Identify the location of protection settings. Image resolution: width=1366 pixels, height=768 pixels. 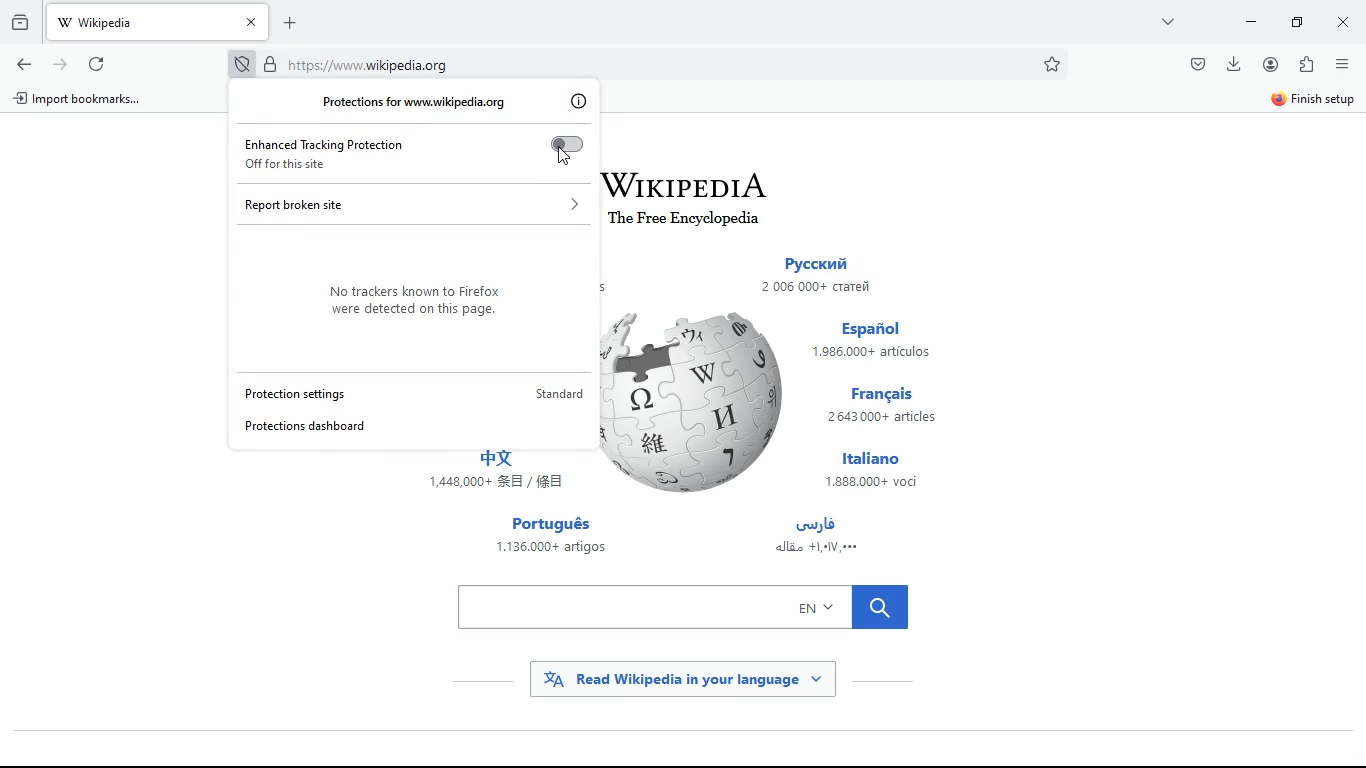
(305, 391).